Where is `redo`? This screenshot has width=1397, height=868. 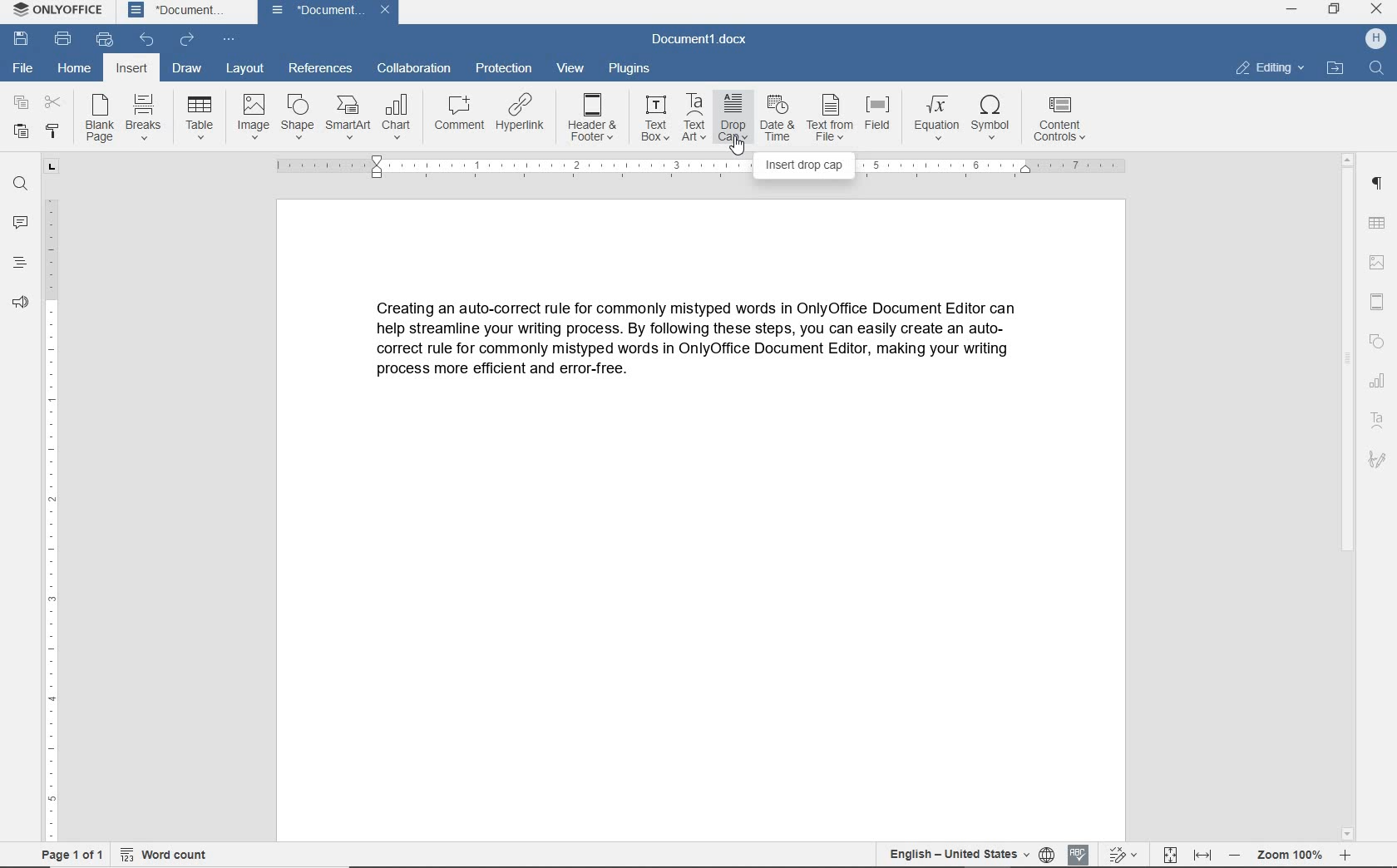
redo is located at coordinates (186, 39).